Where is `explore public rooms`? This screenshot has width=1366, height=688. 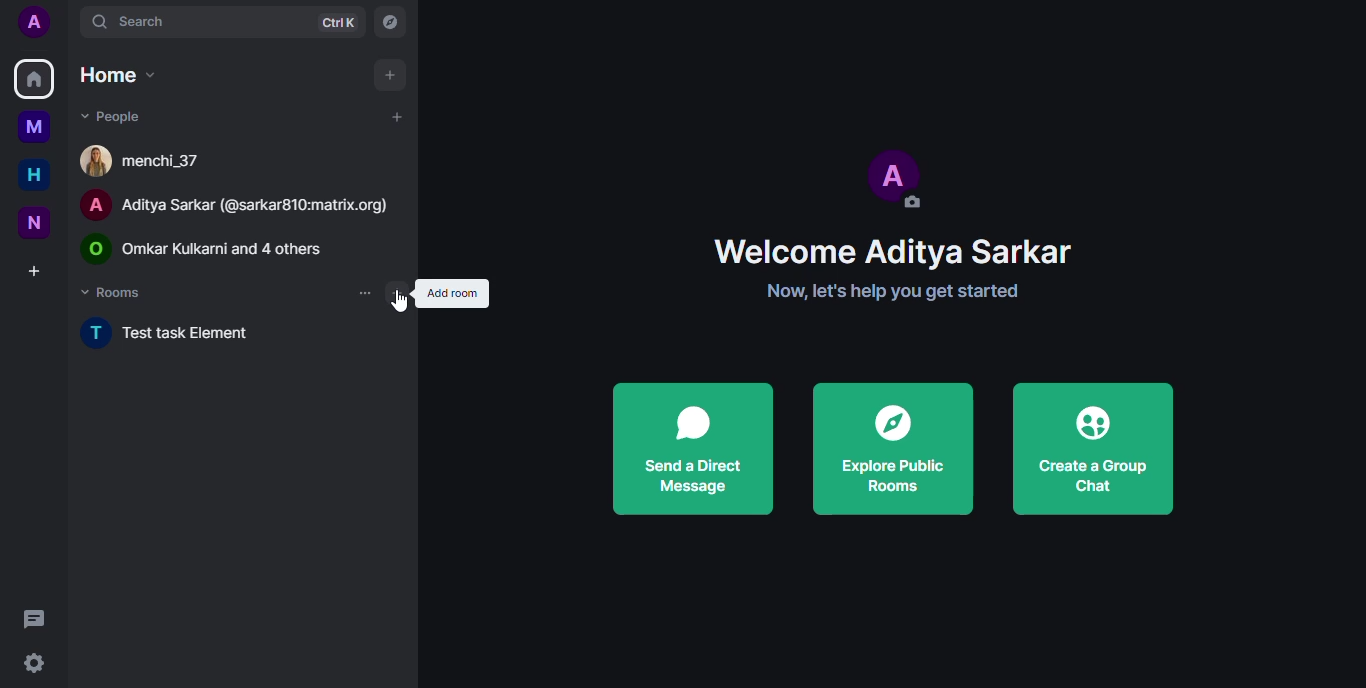
explore public rooms is located at coordinates (894, 450).